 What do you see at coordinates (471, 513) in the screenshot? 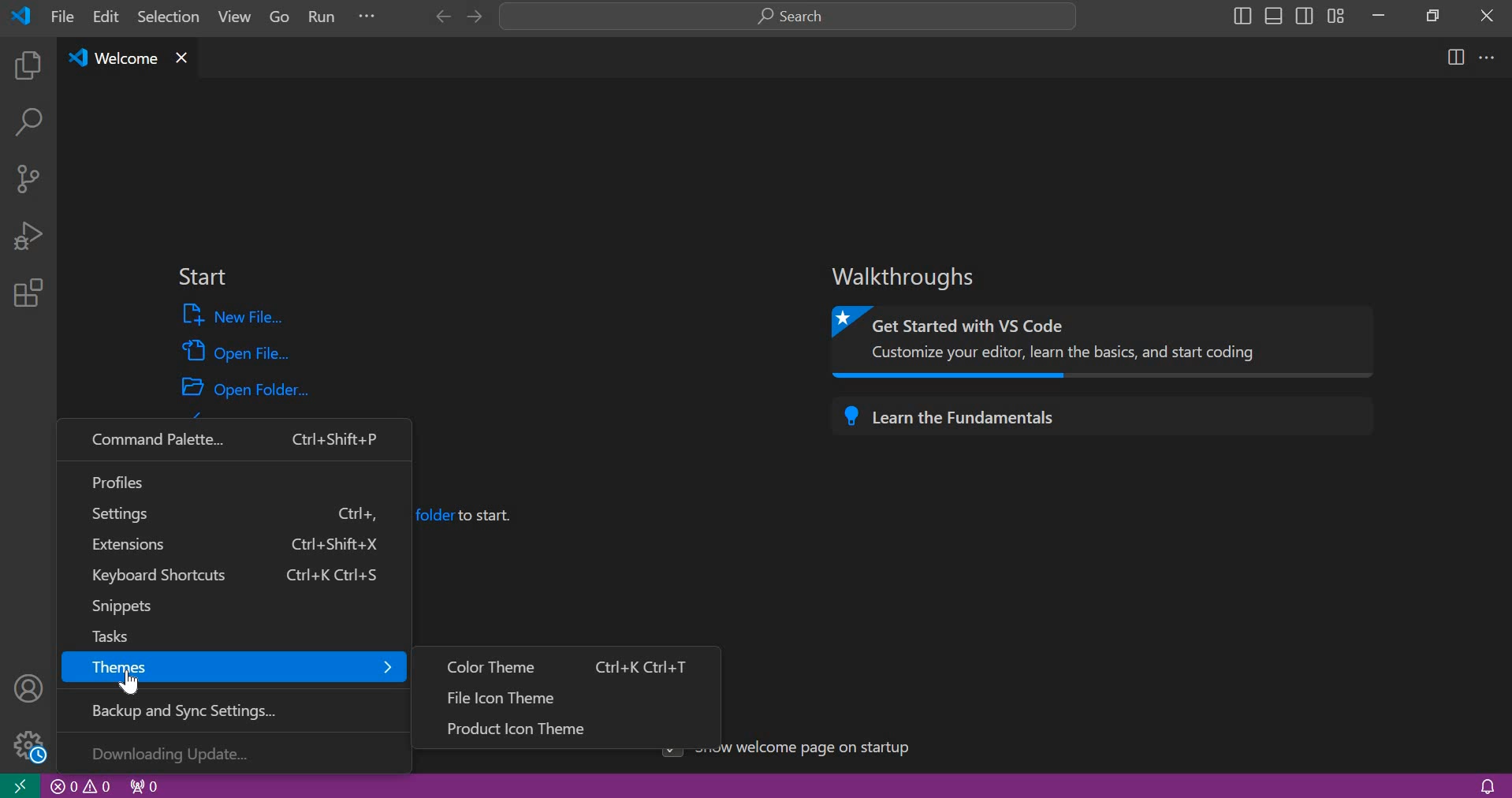
I see `folder to start` at bounding box center [471, 513].